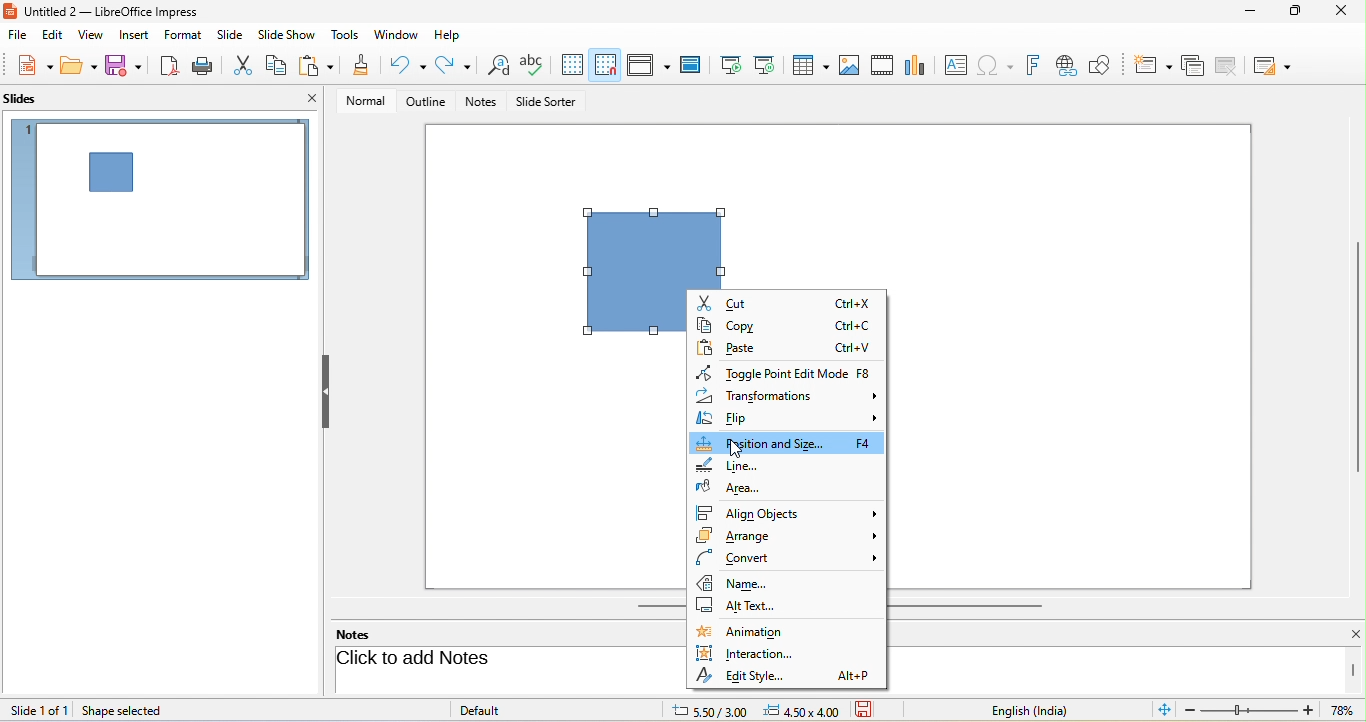 This screenshot has height=722, width=1366. I want to click on toggle point edit mode, so click(789, 373).